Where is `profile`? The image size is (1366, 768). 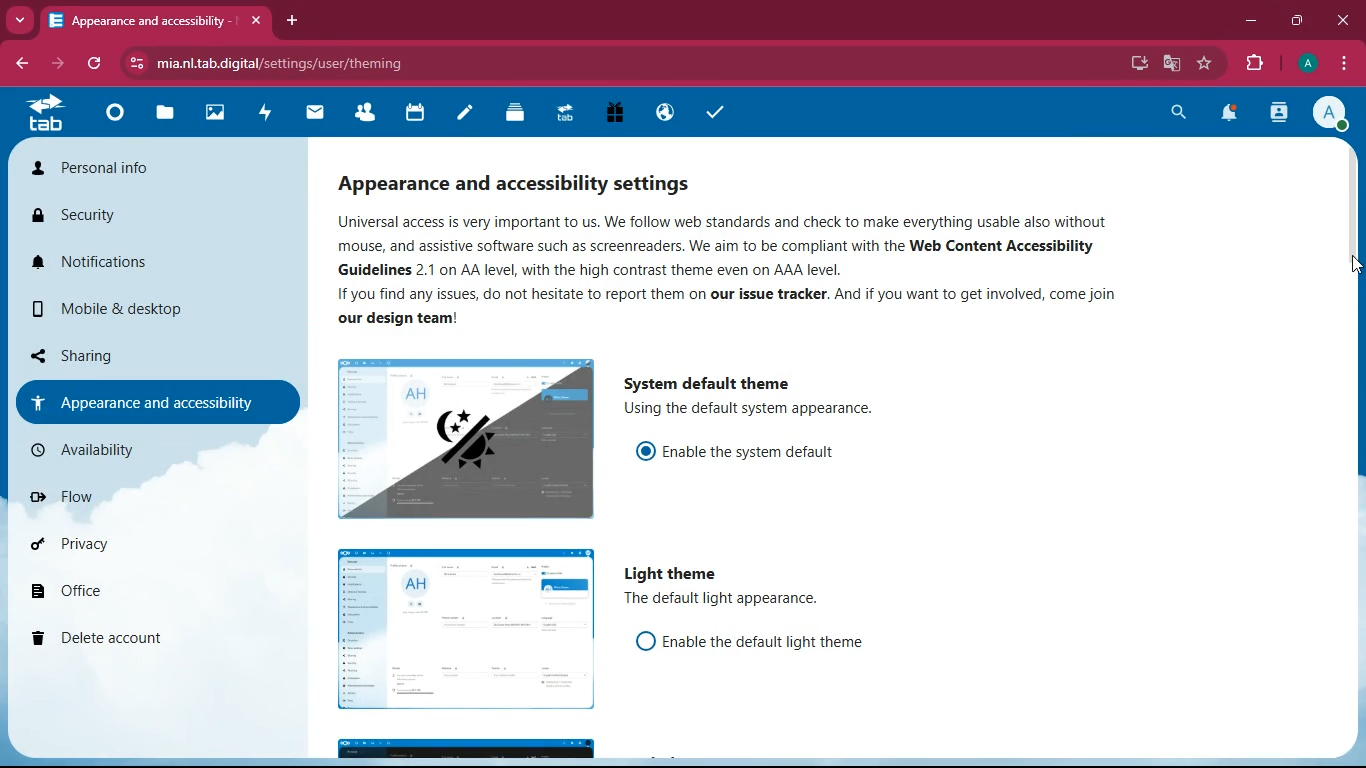
profile is located at coordinates (1310, 64).